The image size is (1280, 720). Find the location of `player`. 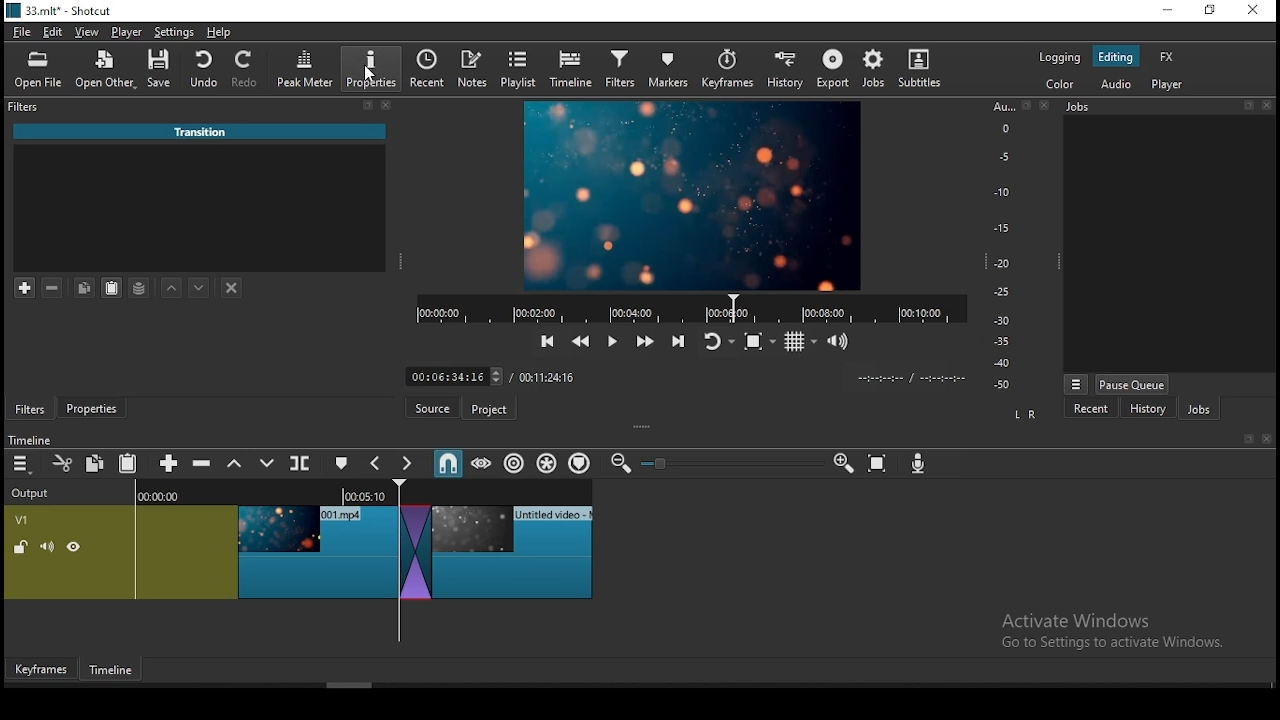

player is located at coordinates (127, 33).